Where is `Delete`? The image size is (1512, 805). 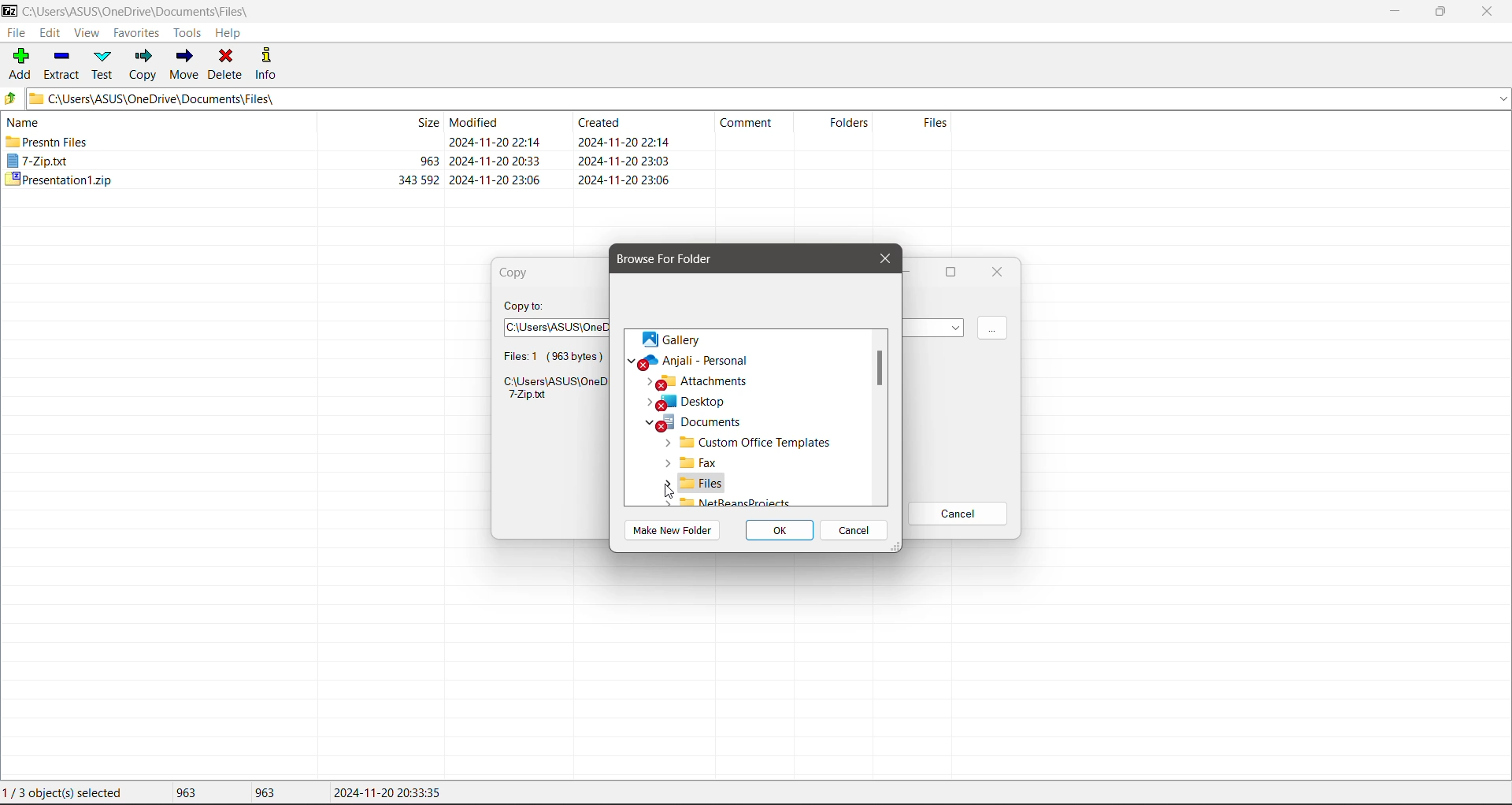 Delete is located at coordinates (227, 63).